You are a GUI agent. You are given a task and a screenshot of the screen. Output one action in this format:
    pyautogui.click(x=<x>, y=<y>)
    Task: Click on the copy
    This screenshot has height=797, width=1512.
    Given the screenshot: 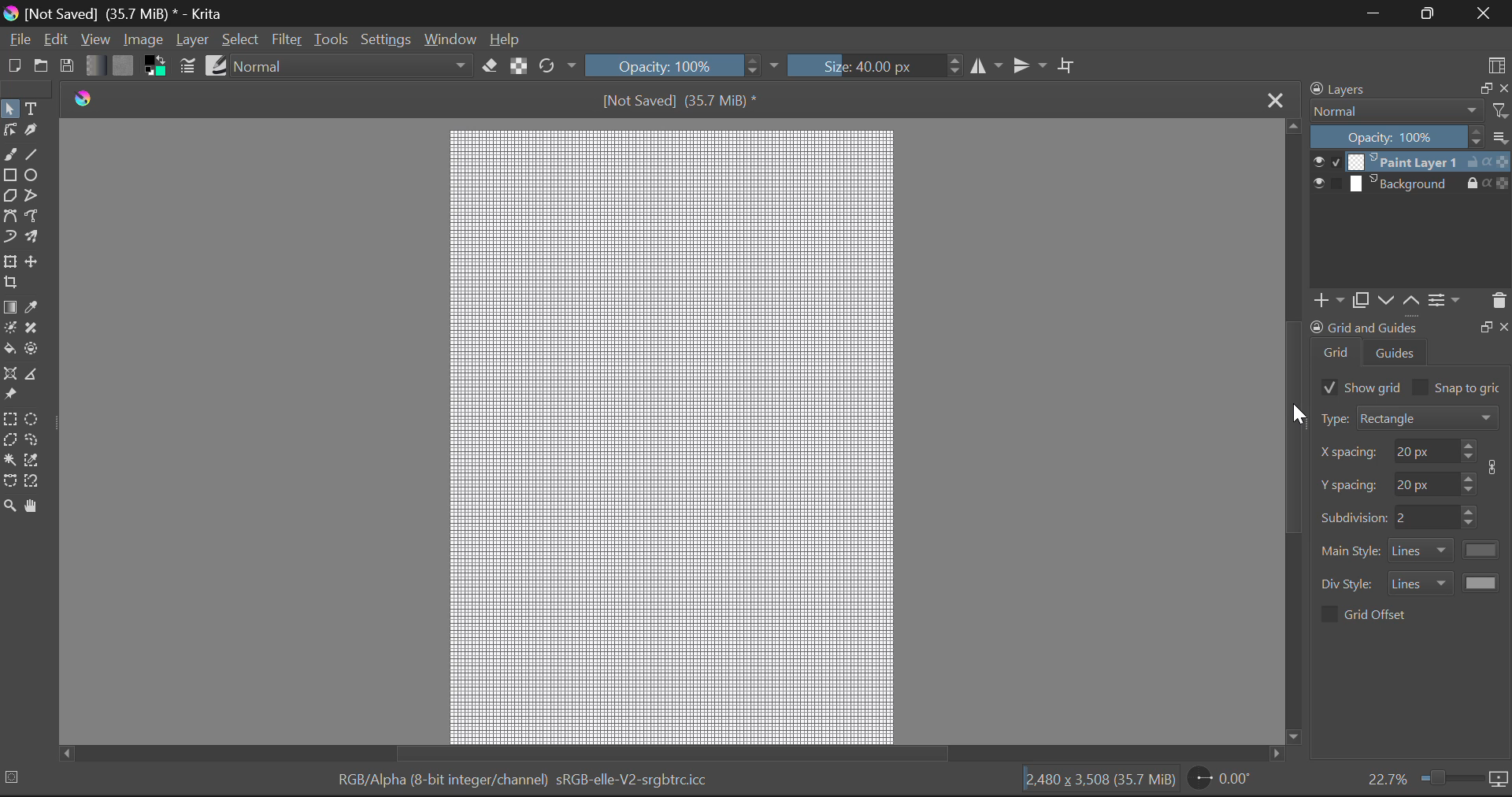 What is the action you would take?
    pyautogui.click(x=1483, y=87)
    